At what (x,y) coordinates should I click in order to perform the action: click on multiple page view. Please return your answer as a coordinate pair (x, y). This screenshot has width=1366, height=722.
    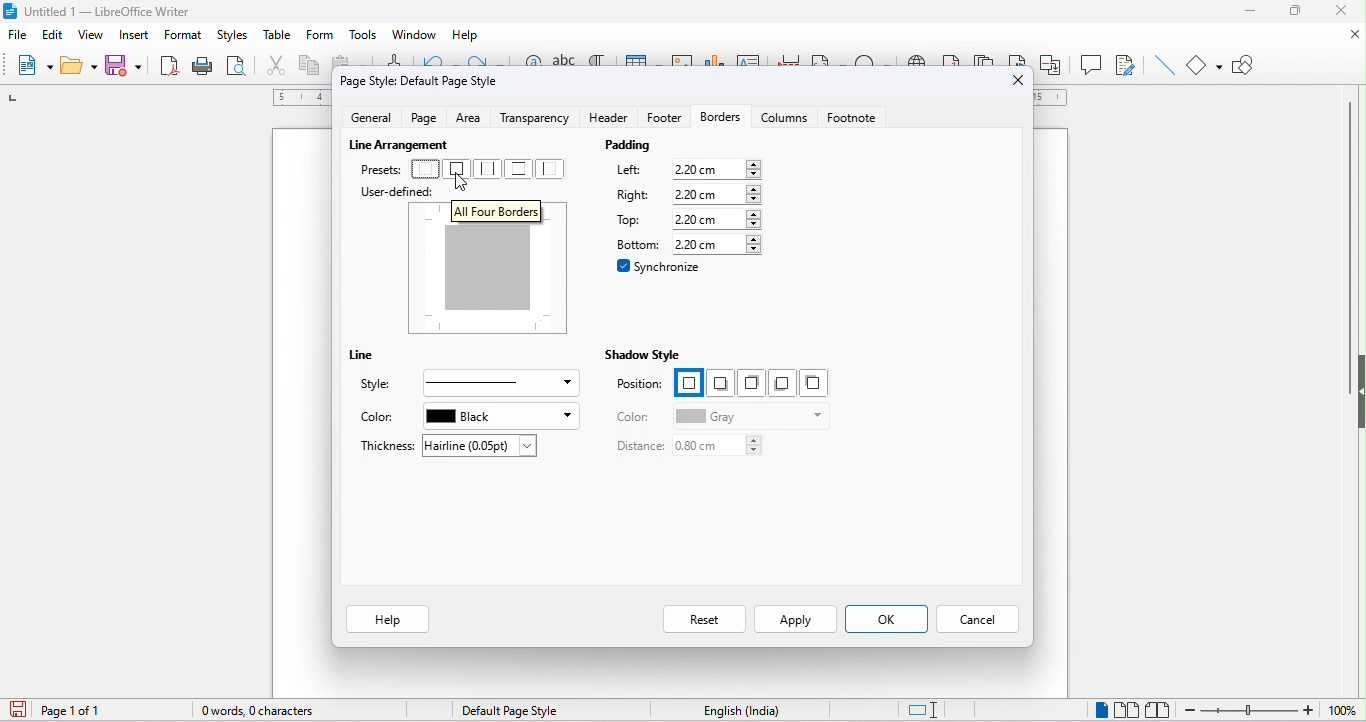
    Looking at the image, I should click on (1126, 707).